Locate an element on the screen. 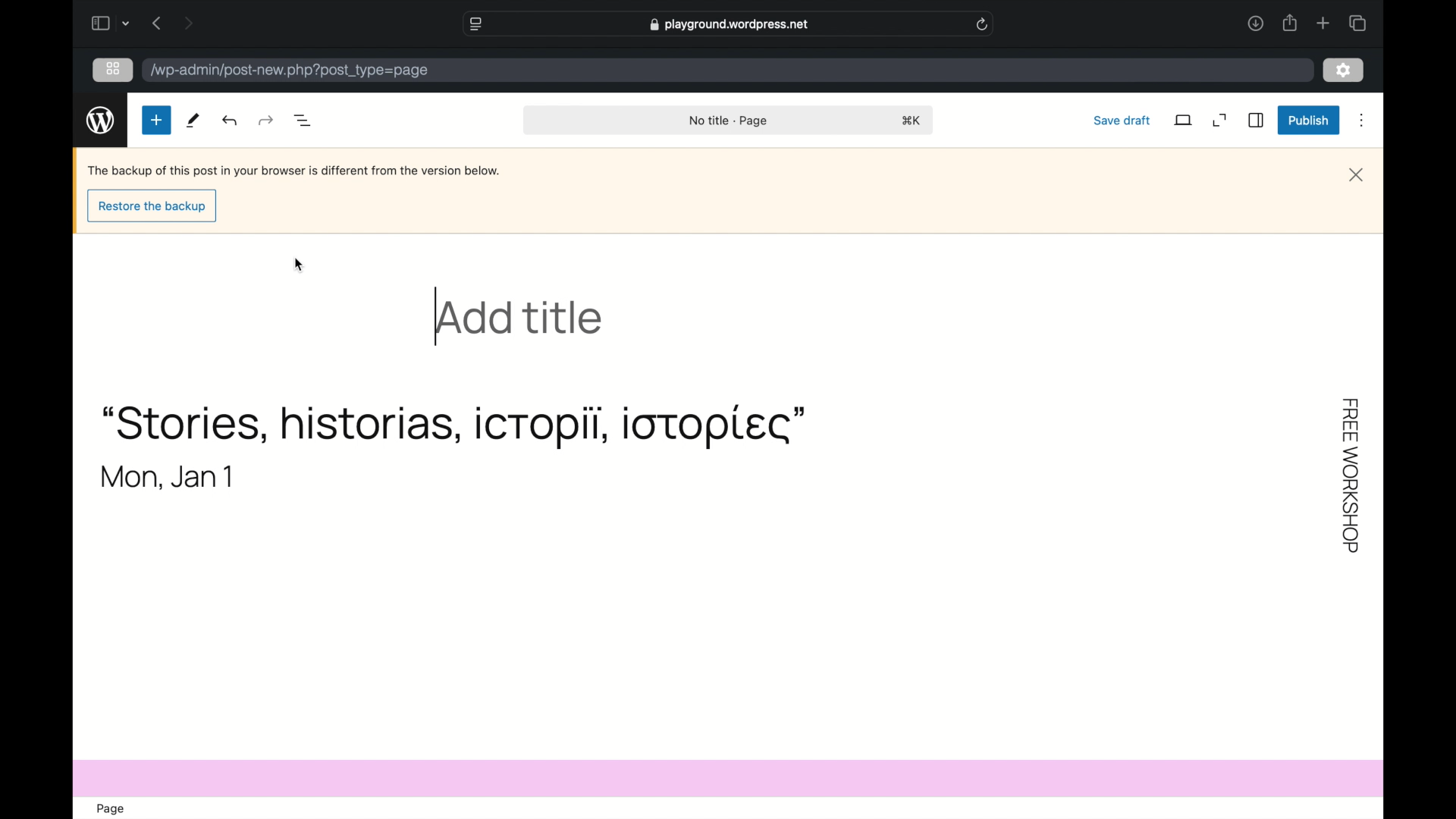  new tab is located at coordinates (1323, 24).